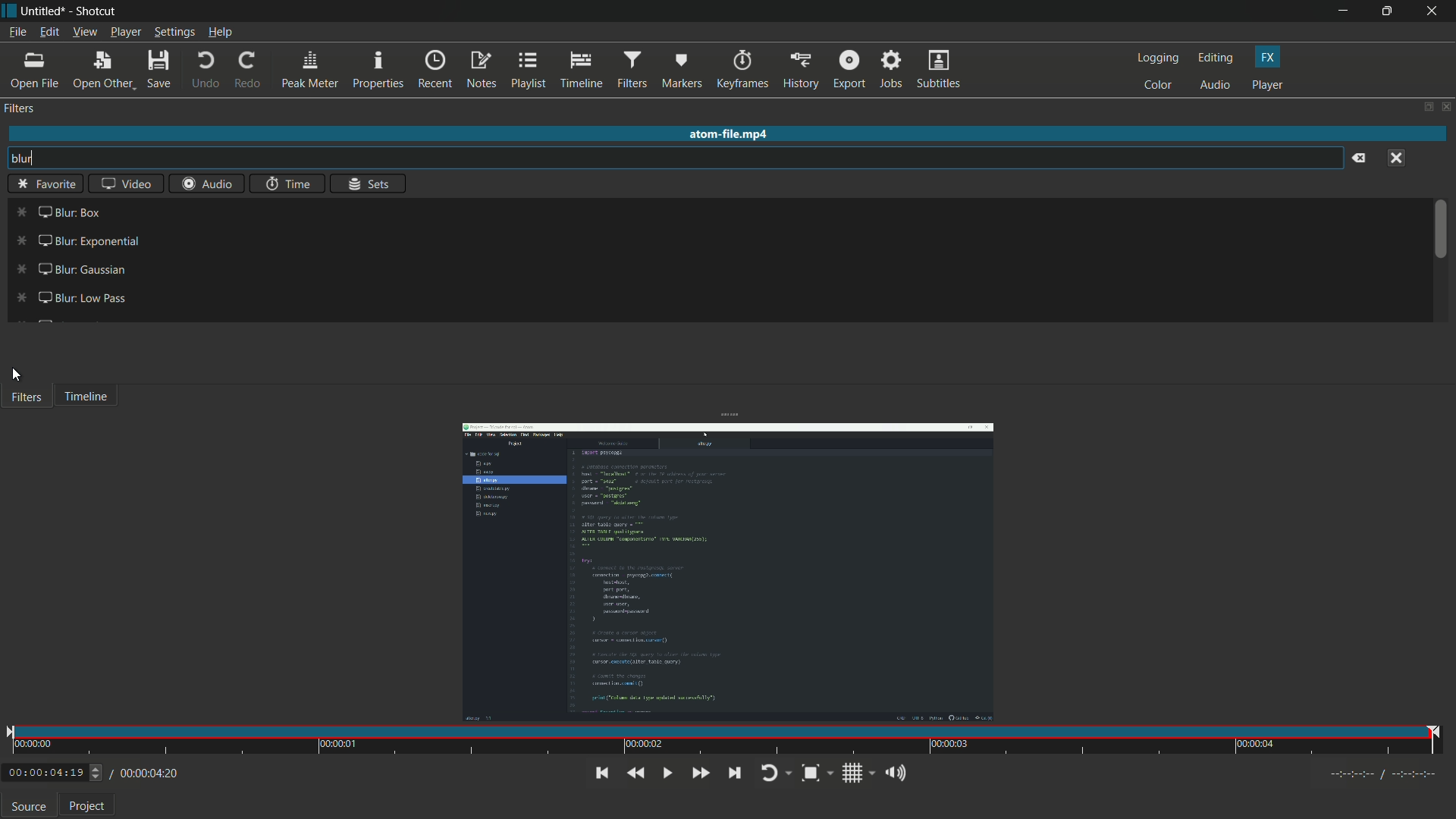 The image size is (1456, 819). What do you see at coordinates (89, 806) in the screenshot?
I see `project` at bounding box center [89, 806].